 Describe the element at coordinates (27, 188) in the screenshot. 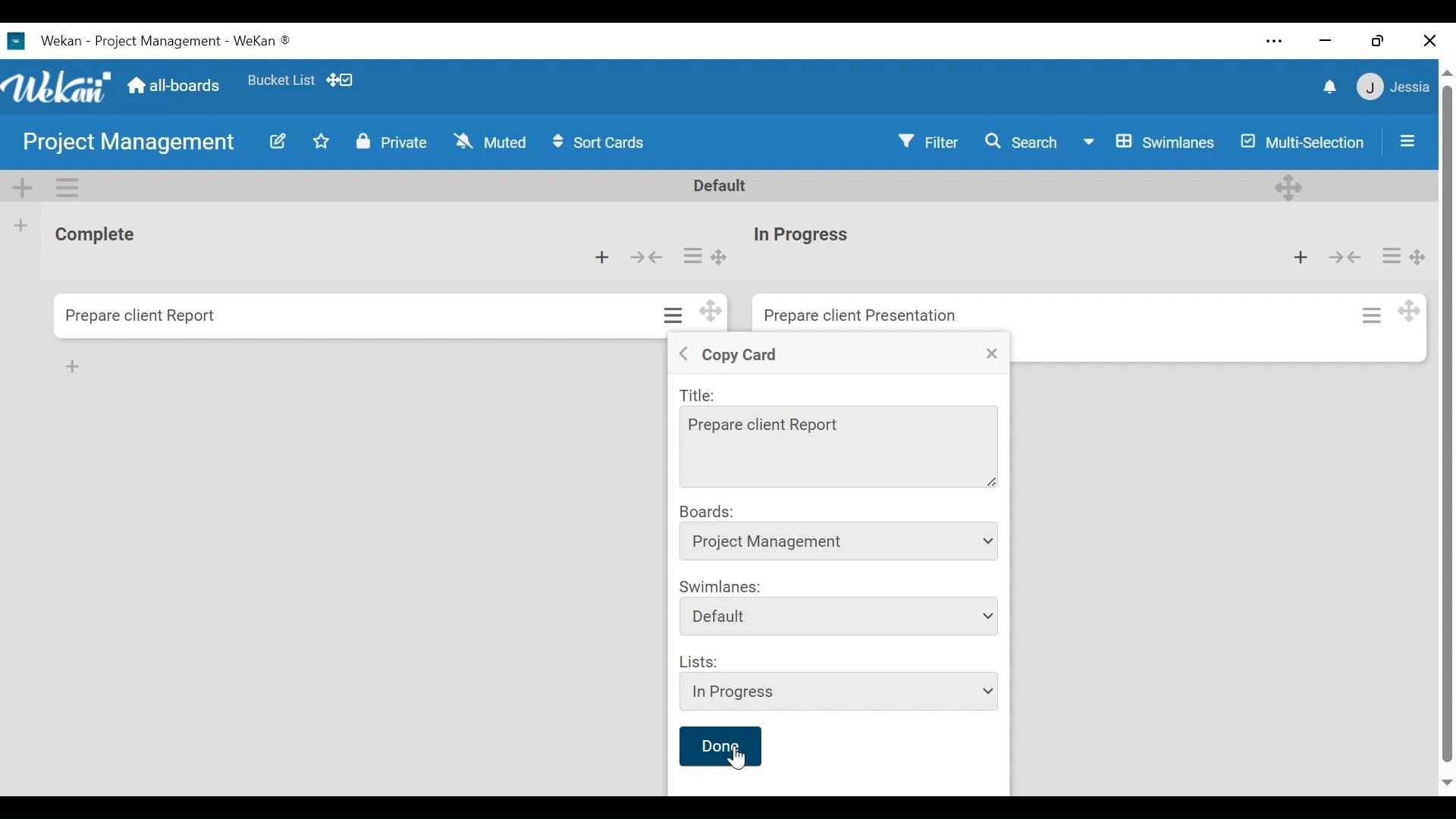

I see `Add Swimlane` at that location.